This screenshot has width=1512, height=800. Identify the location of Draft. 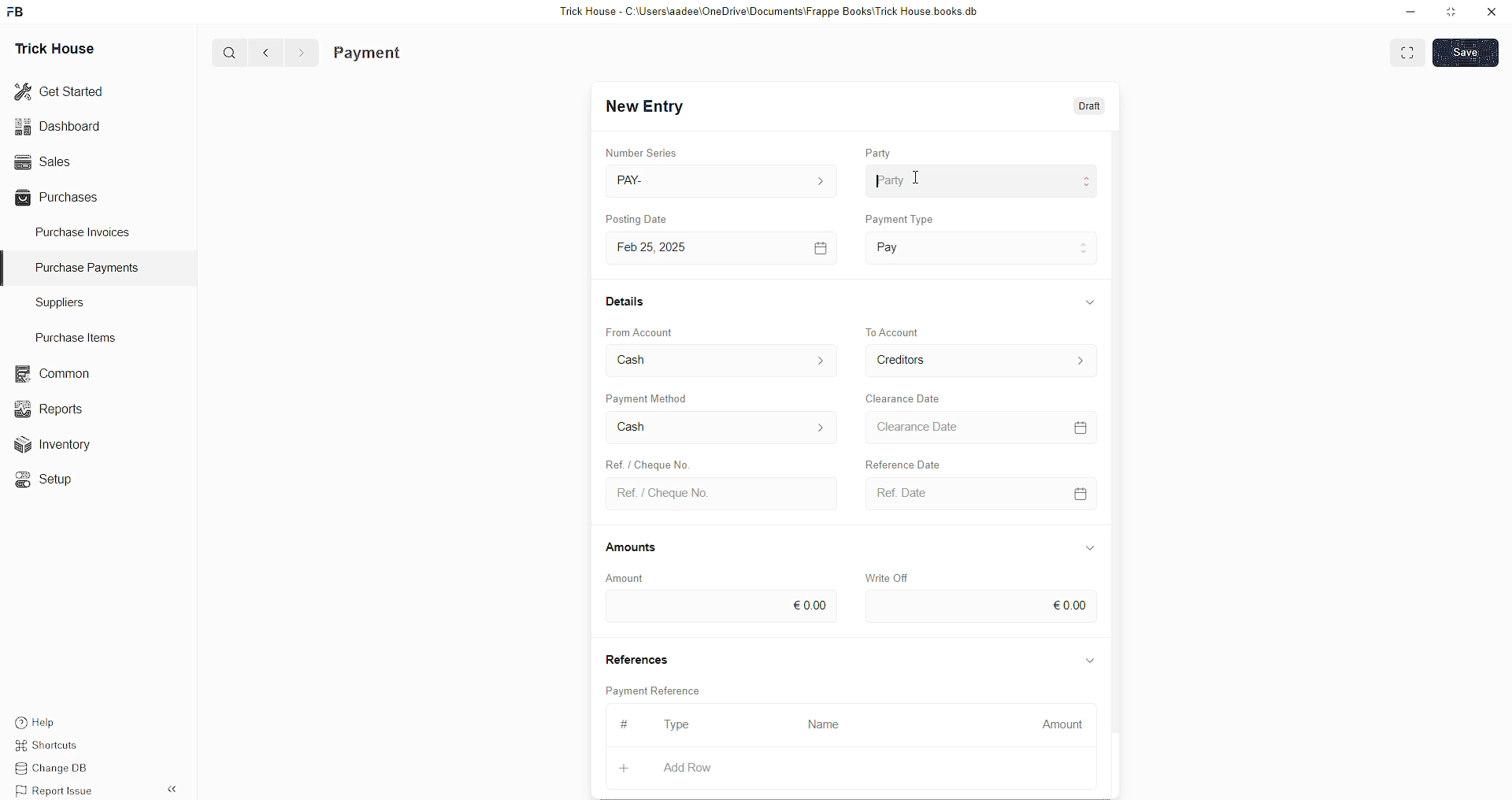
(1091, 107).